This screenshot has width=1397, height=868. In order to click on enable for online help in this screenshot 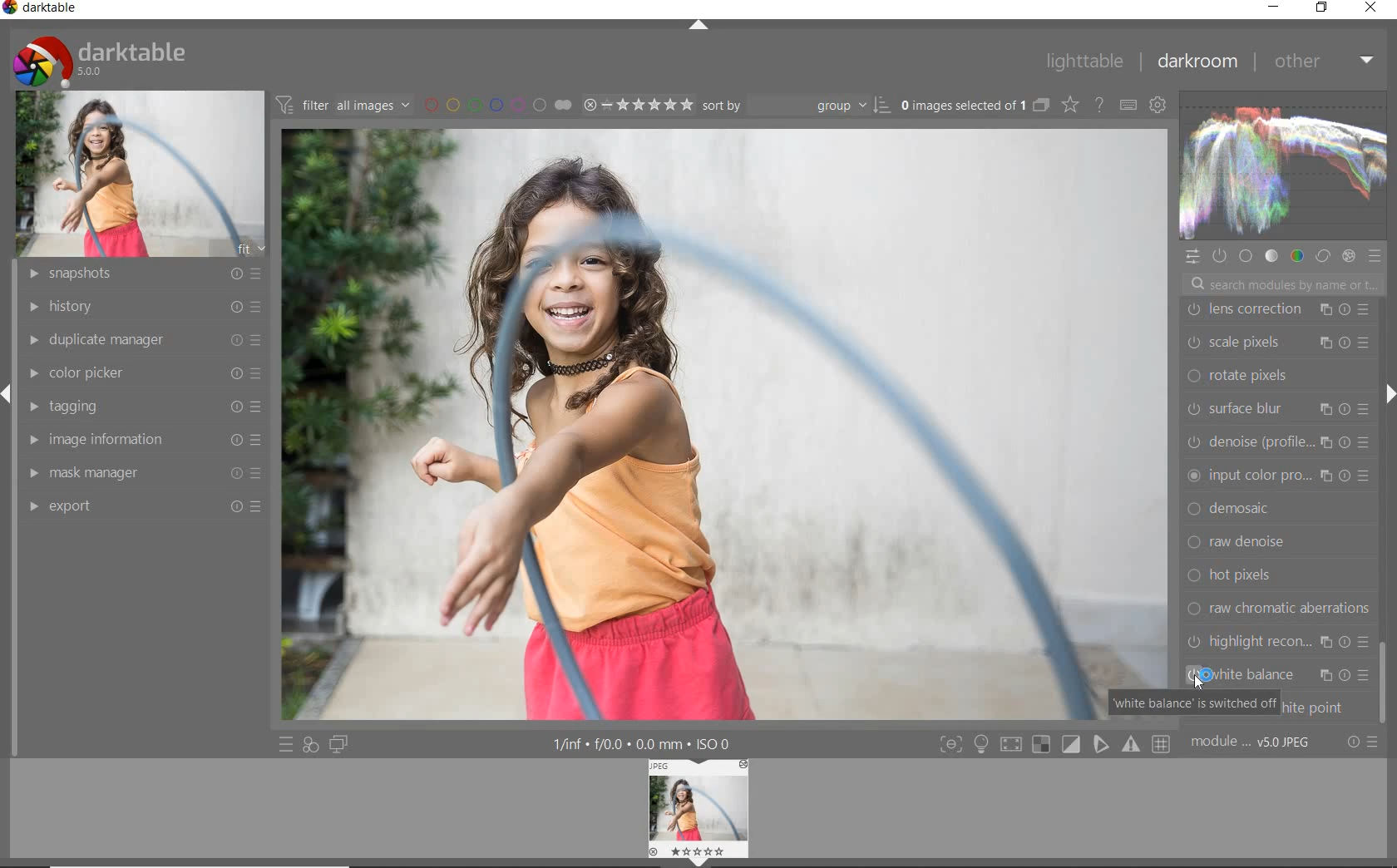, I will do `click(1098, 105)`.